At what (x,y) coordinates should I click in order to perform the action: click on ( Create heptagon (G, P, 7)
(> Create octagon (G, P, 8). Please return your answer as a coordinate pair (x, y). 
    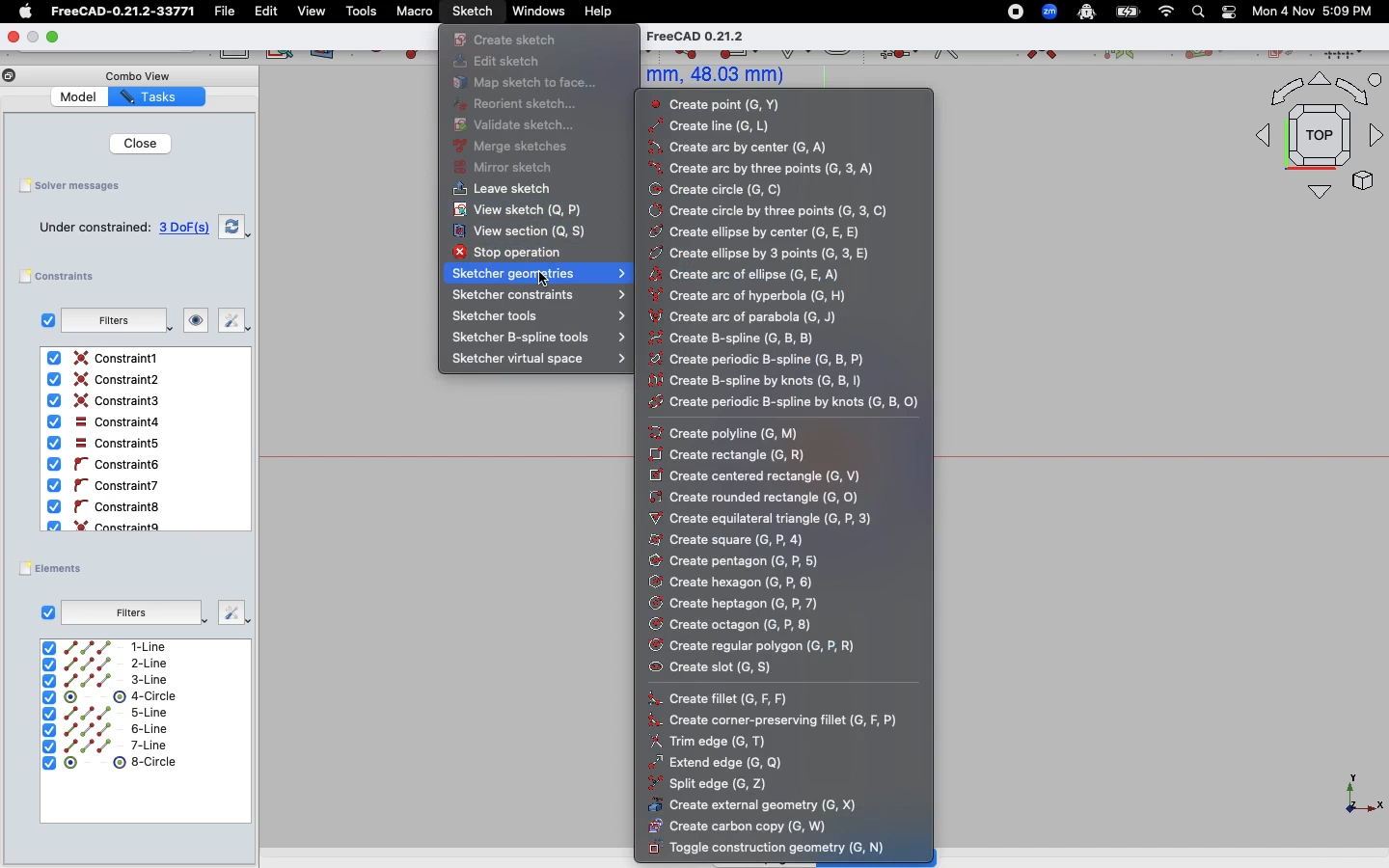
    Looking at the image, I should click on (731, 625).